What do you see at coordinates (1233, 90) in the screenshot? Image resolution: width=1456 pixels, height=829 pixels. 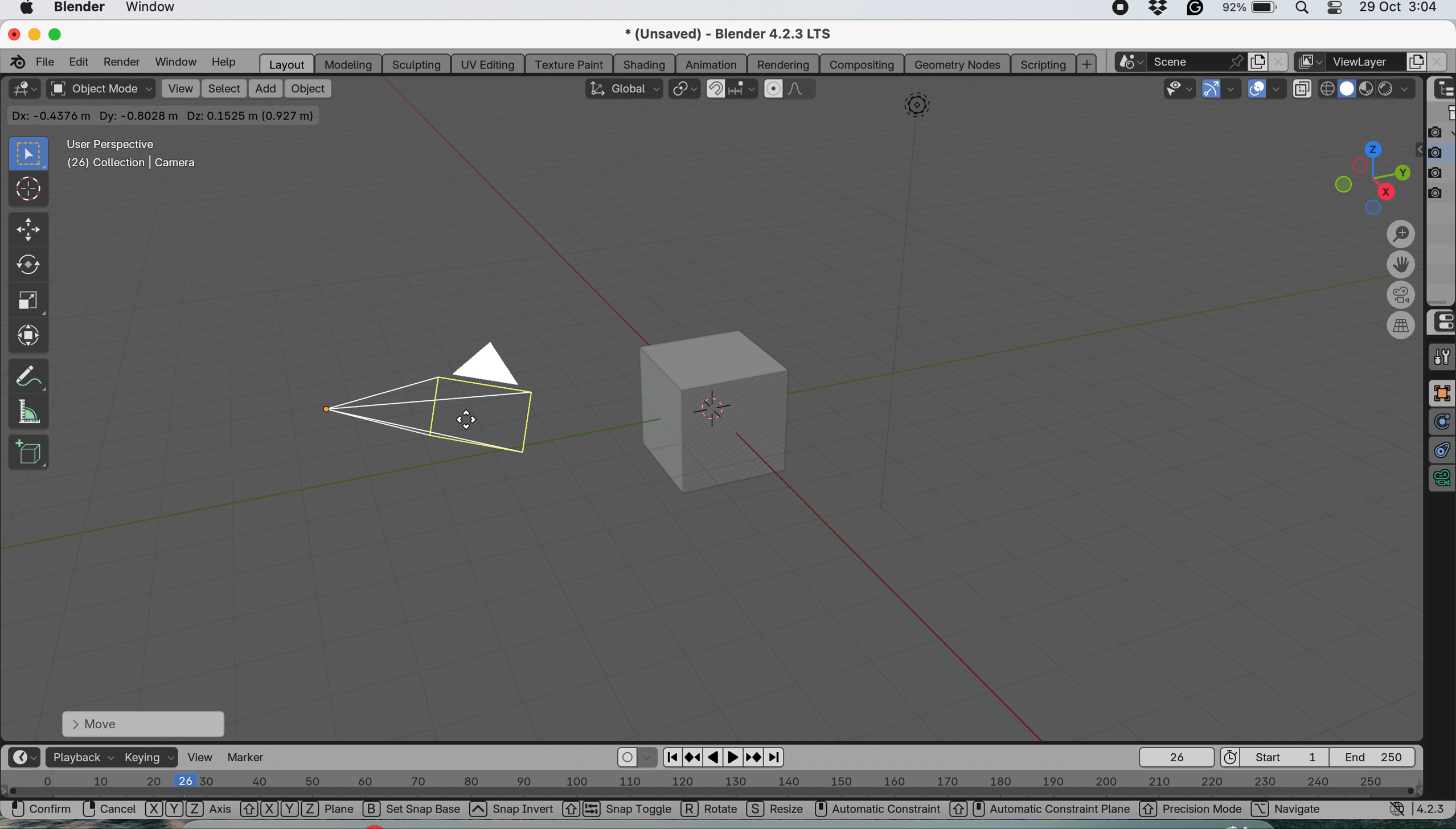 I see `gizmos` at bounding box center [1233, 90].